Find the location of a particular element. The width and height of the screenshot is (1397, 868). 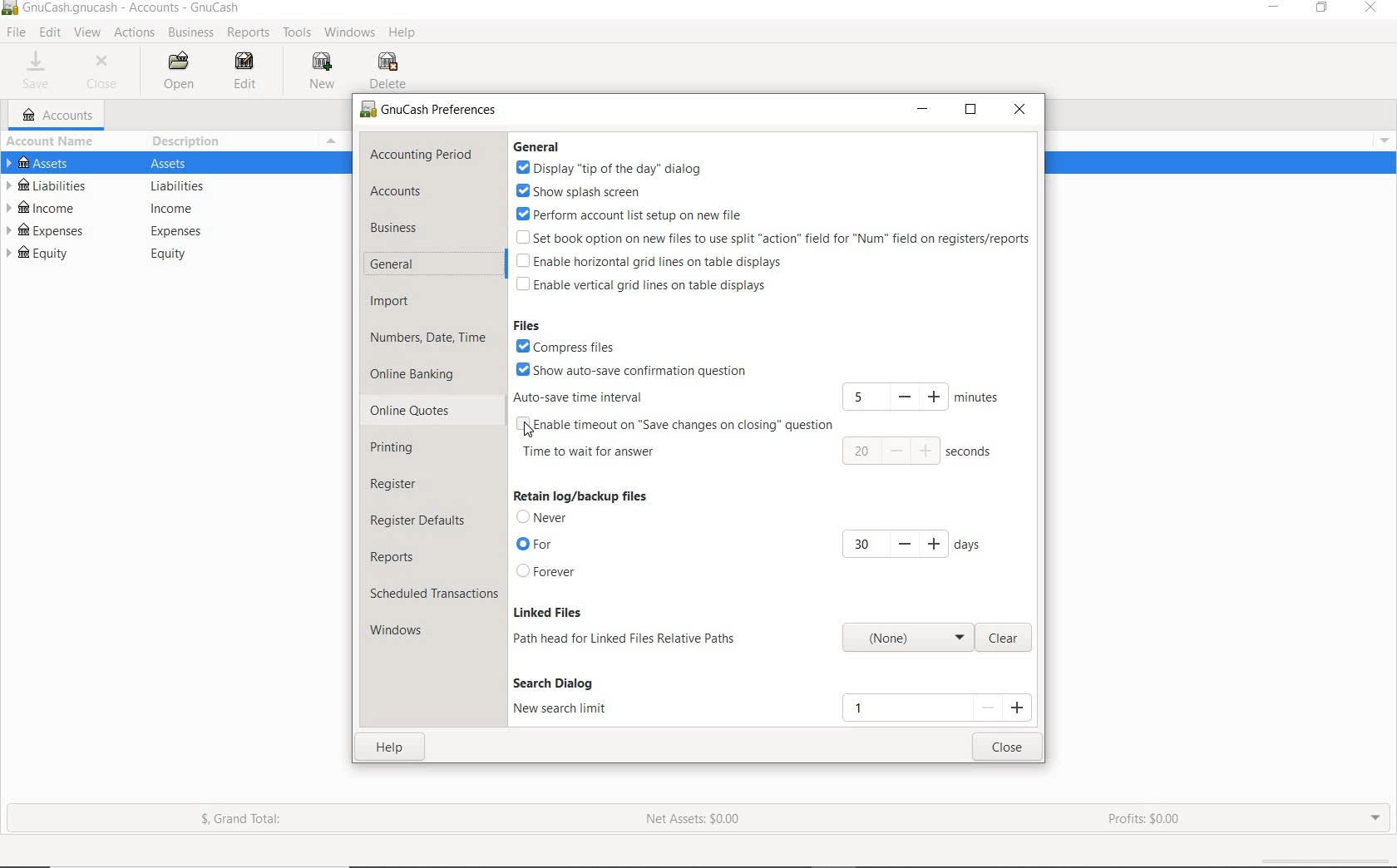

GENERAL is located at coordinates (407, 265).